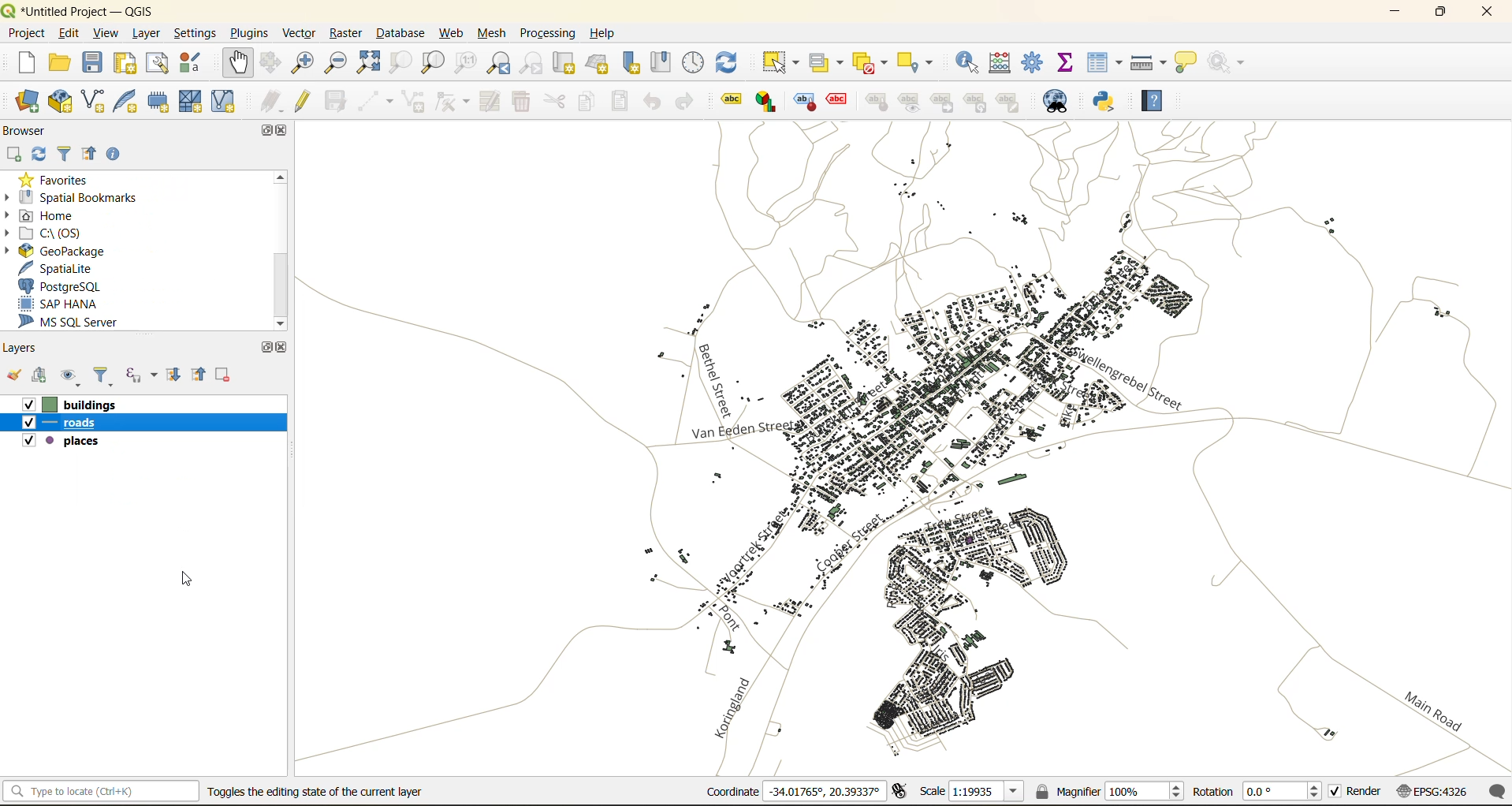 Image resolution: width=1512 pixels, height=806 pixels. I want to click on redo, so click(683, 104).